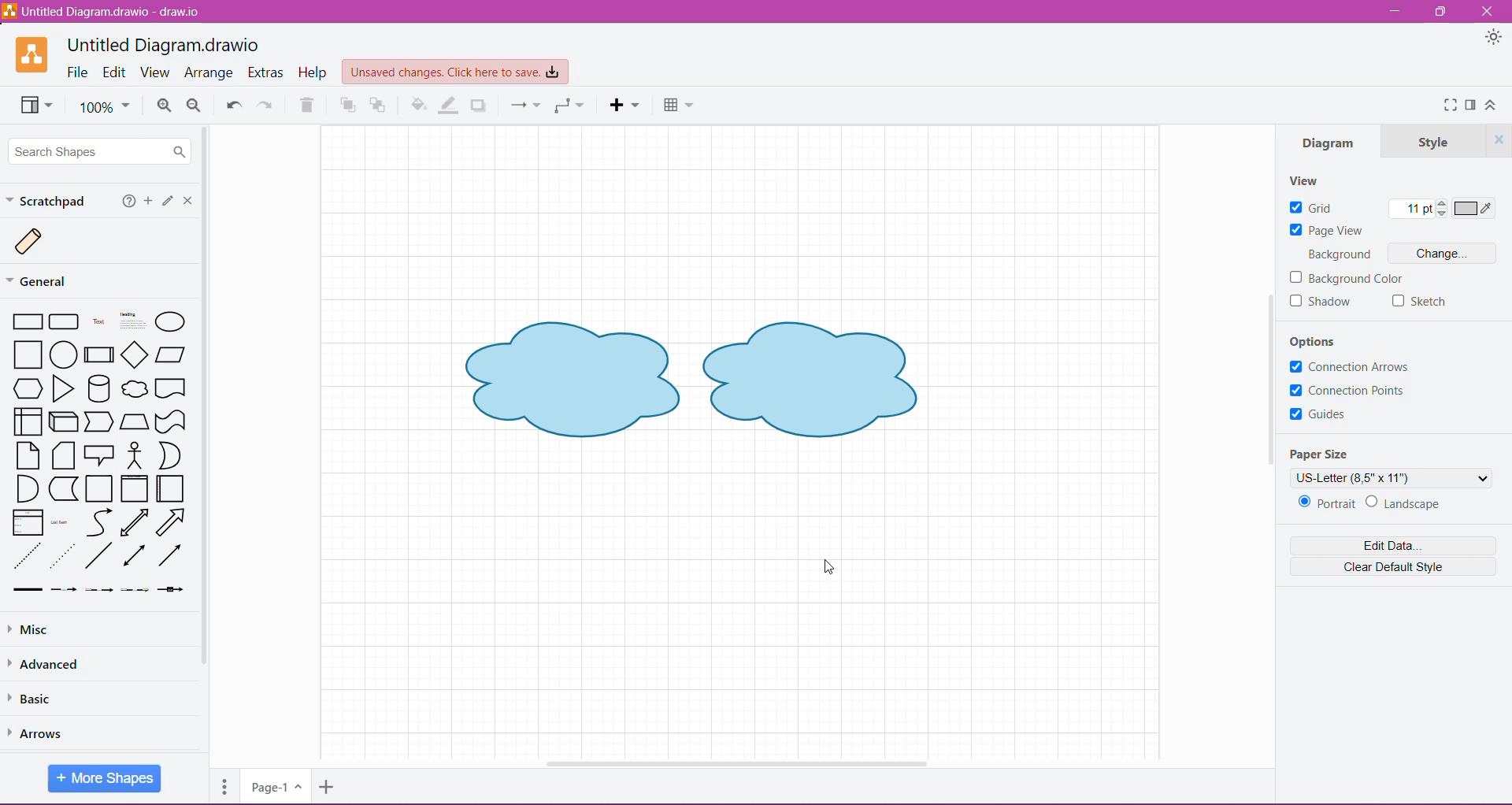 This screenshot has width=1512, height=805. I want to click on Shadow, so click(479, 106).